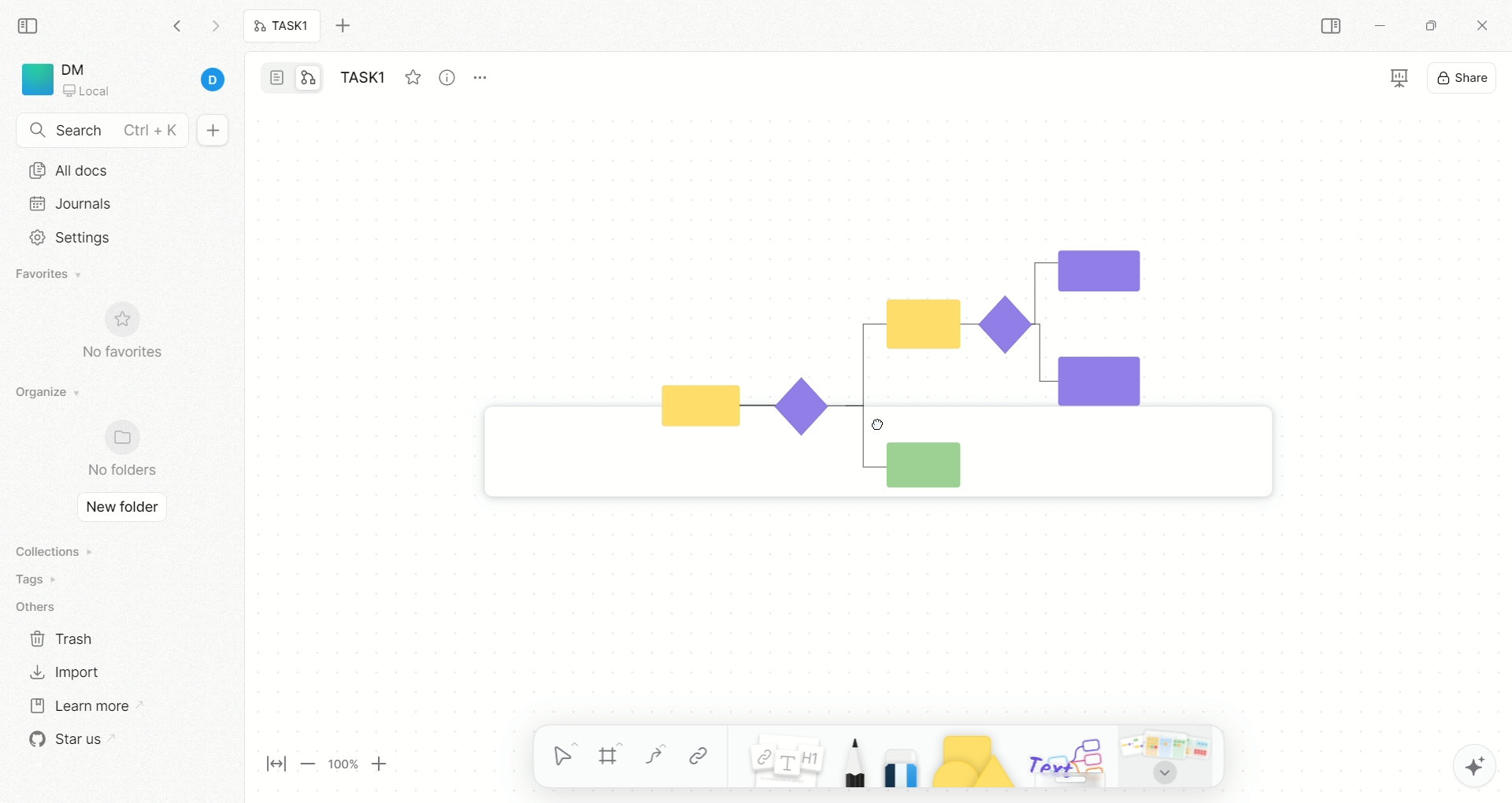 This screenshot has width=1512, height=803. I want to click on cursor, so click(1163, 774).